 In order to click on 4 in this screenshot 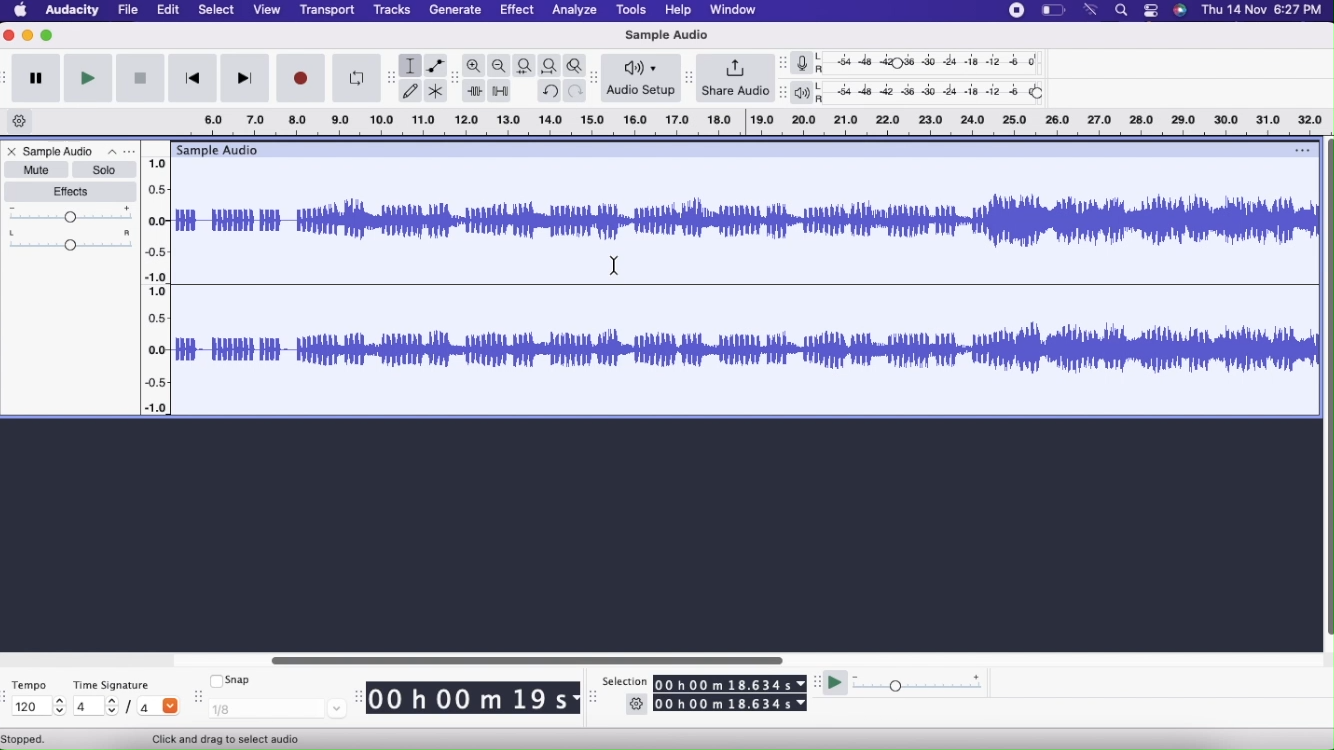, I will do `click(97, 707)`.